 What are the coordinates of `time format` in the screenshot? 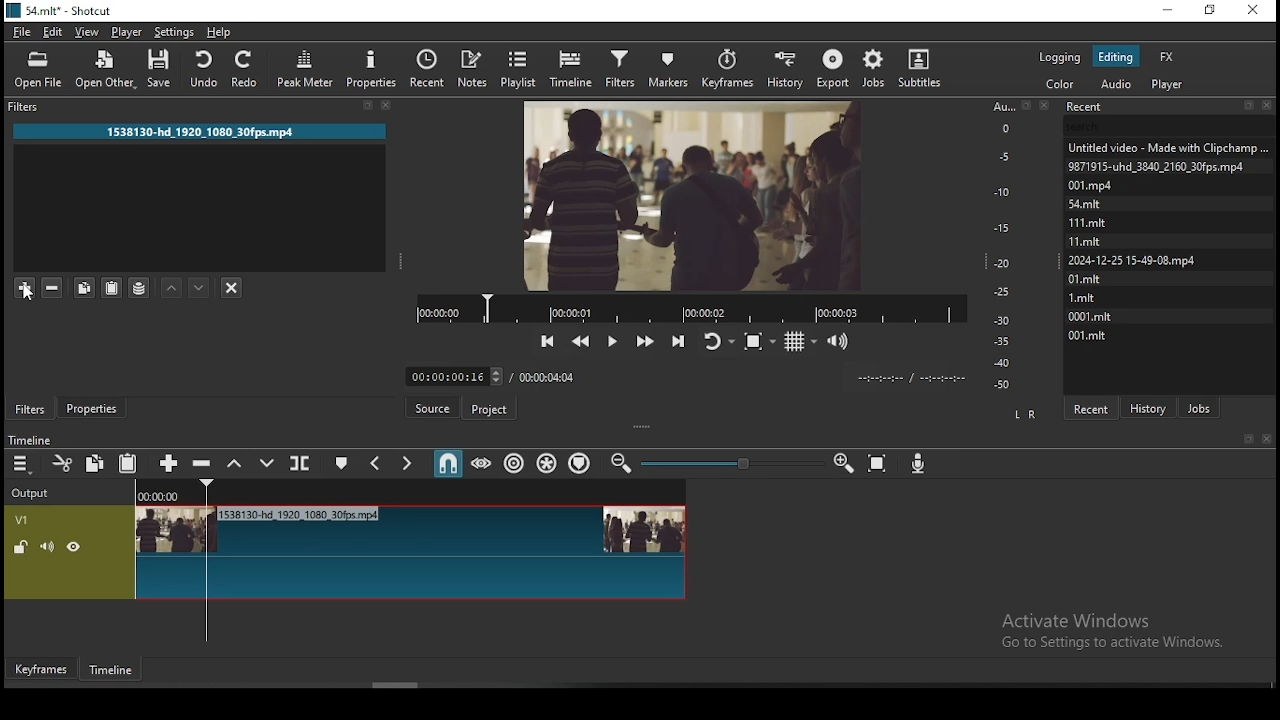 It's located at (907, 376).